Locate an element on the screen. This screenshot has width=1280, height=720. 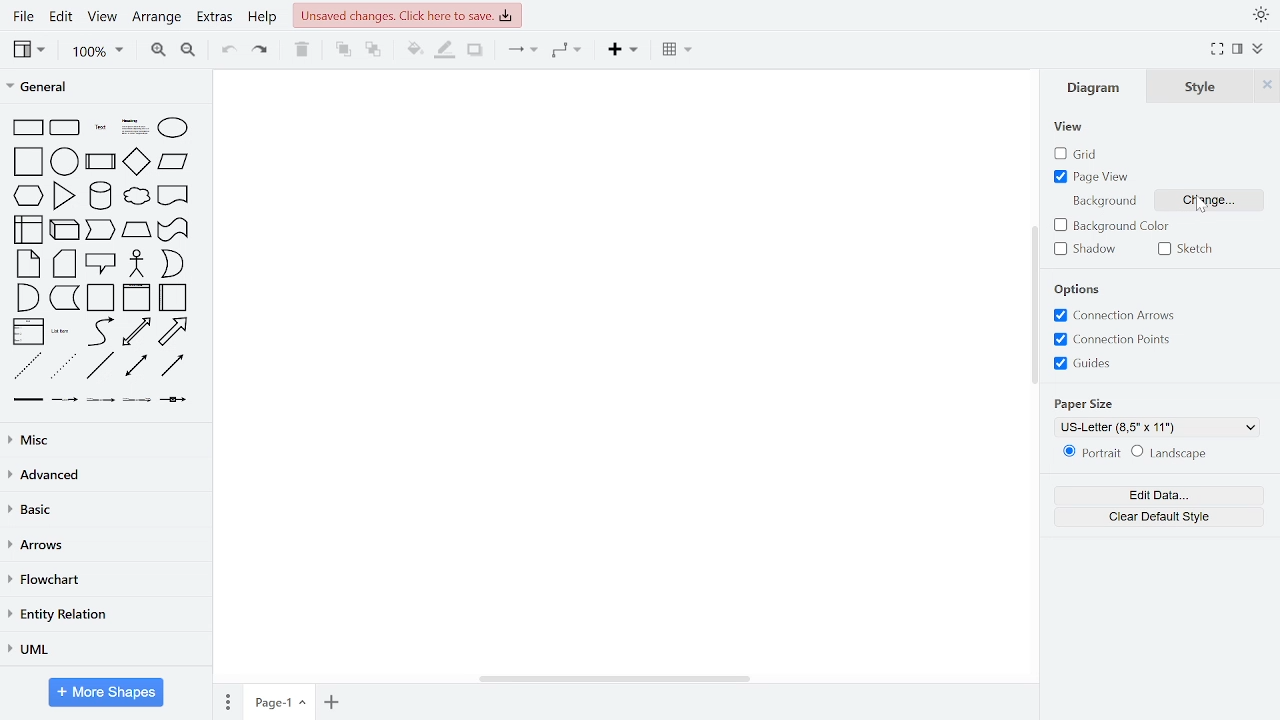
general shapes is located at coordinates (26, 126).